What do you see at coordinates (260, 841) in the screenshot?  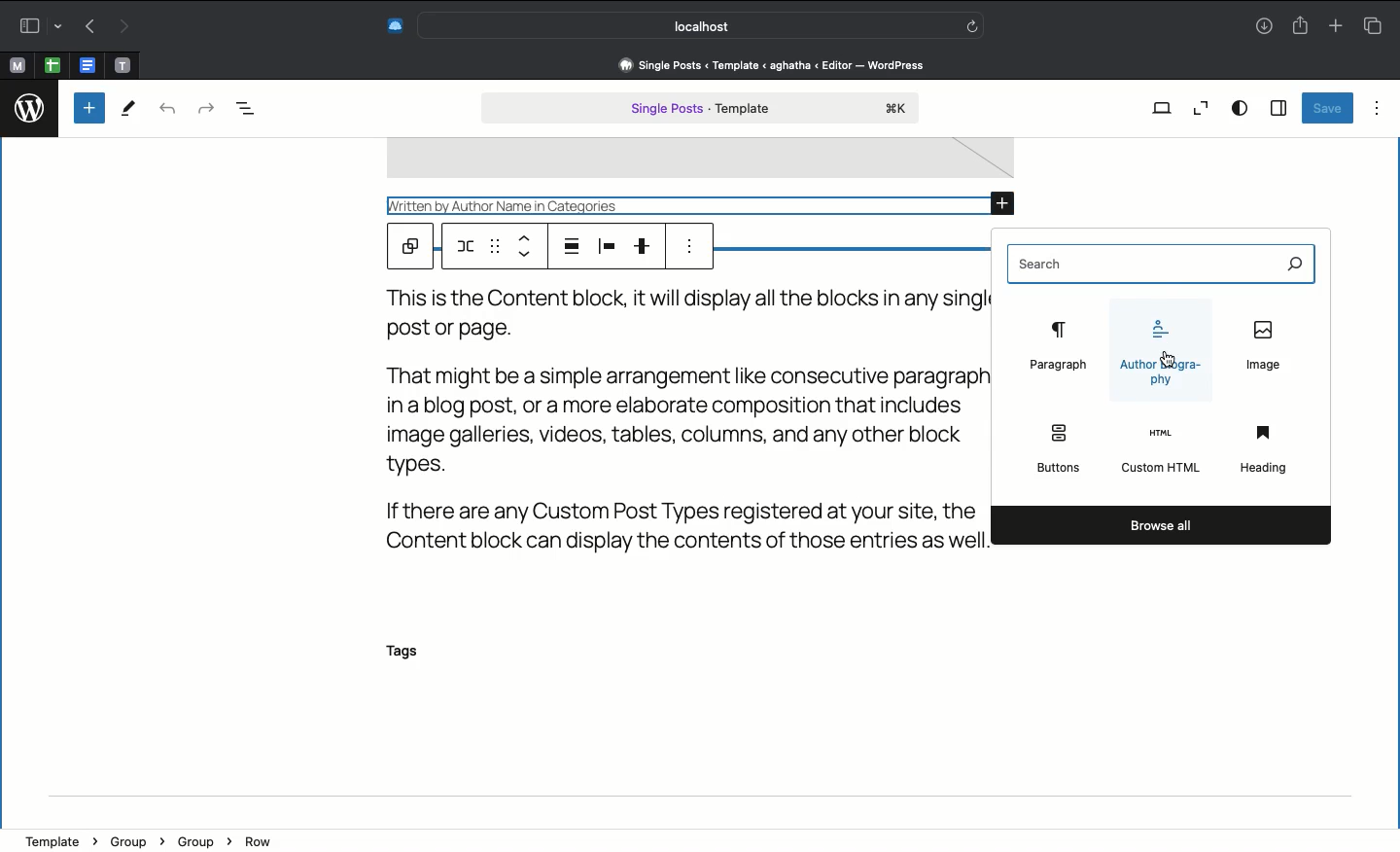 I see `Row` at bounding box center [260, 841].